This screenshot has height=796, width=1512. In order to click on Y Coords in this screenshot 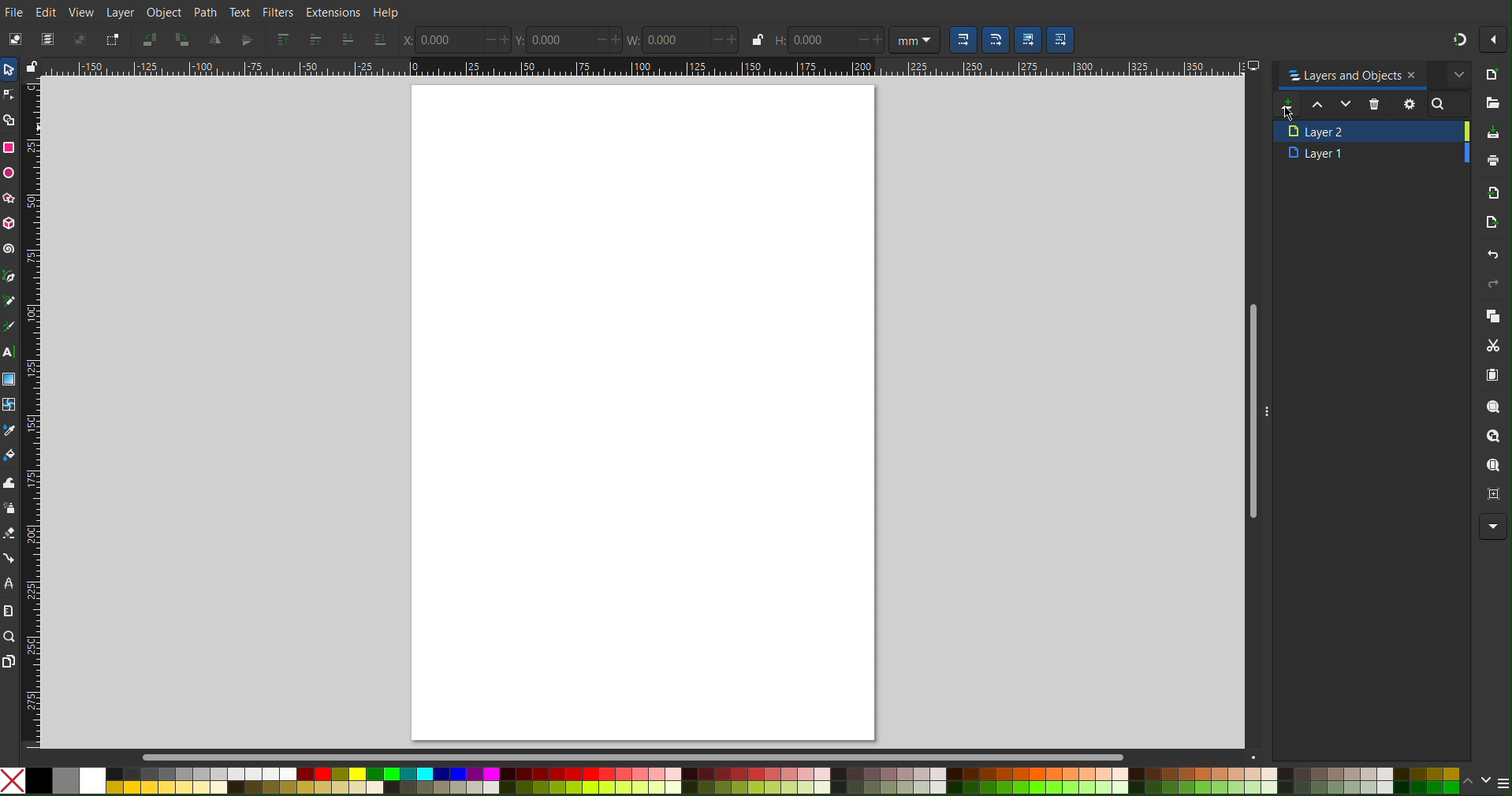, I will do `click(572, 40)`.